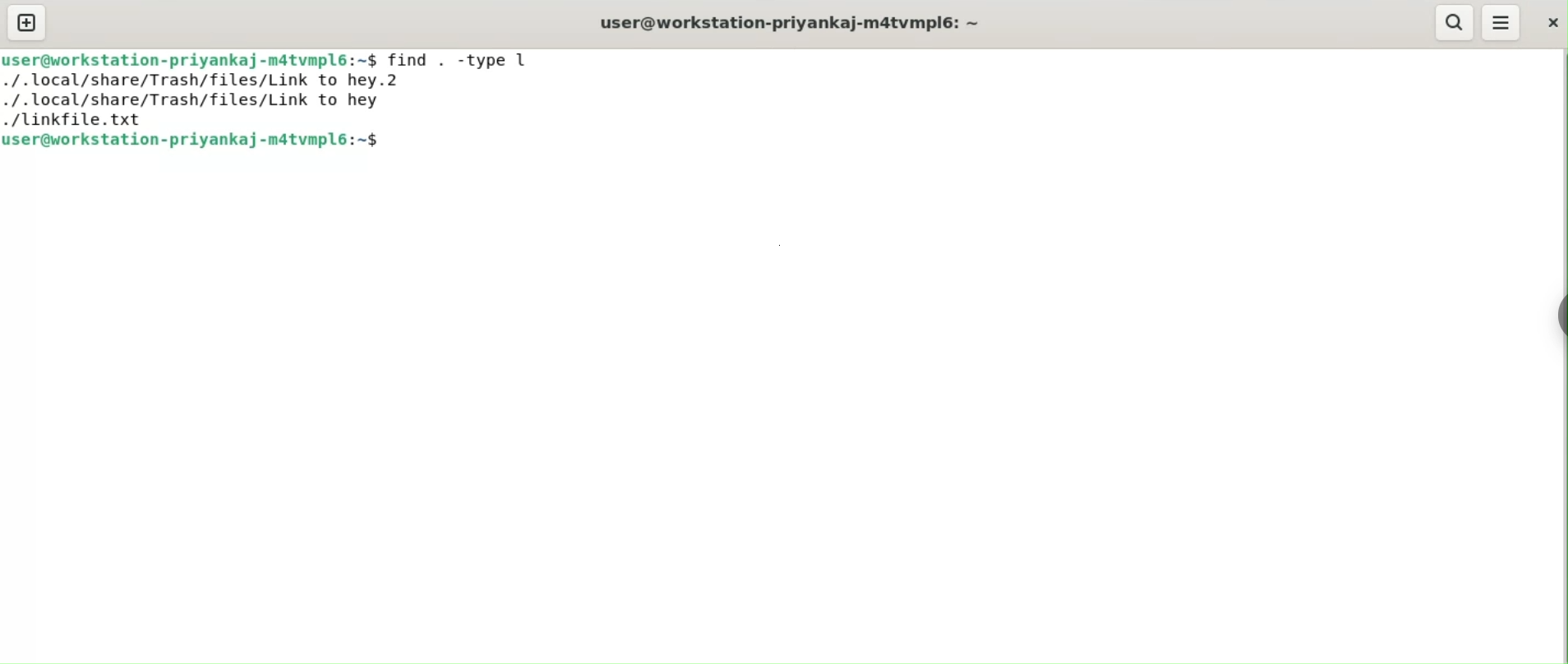 This screenshot has height=664, width=1568. I want to click on  user@workstation-priyankaj-m4tvmpl6: ~, so click(795, 21).